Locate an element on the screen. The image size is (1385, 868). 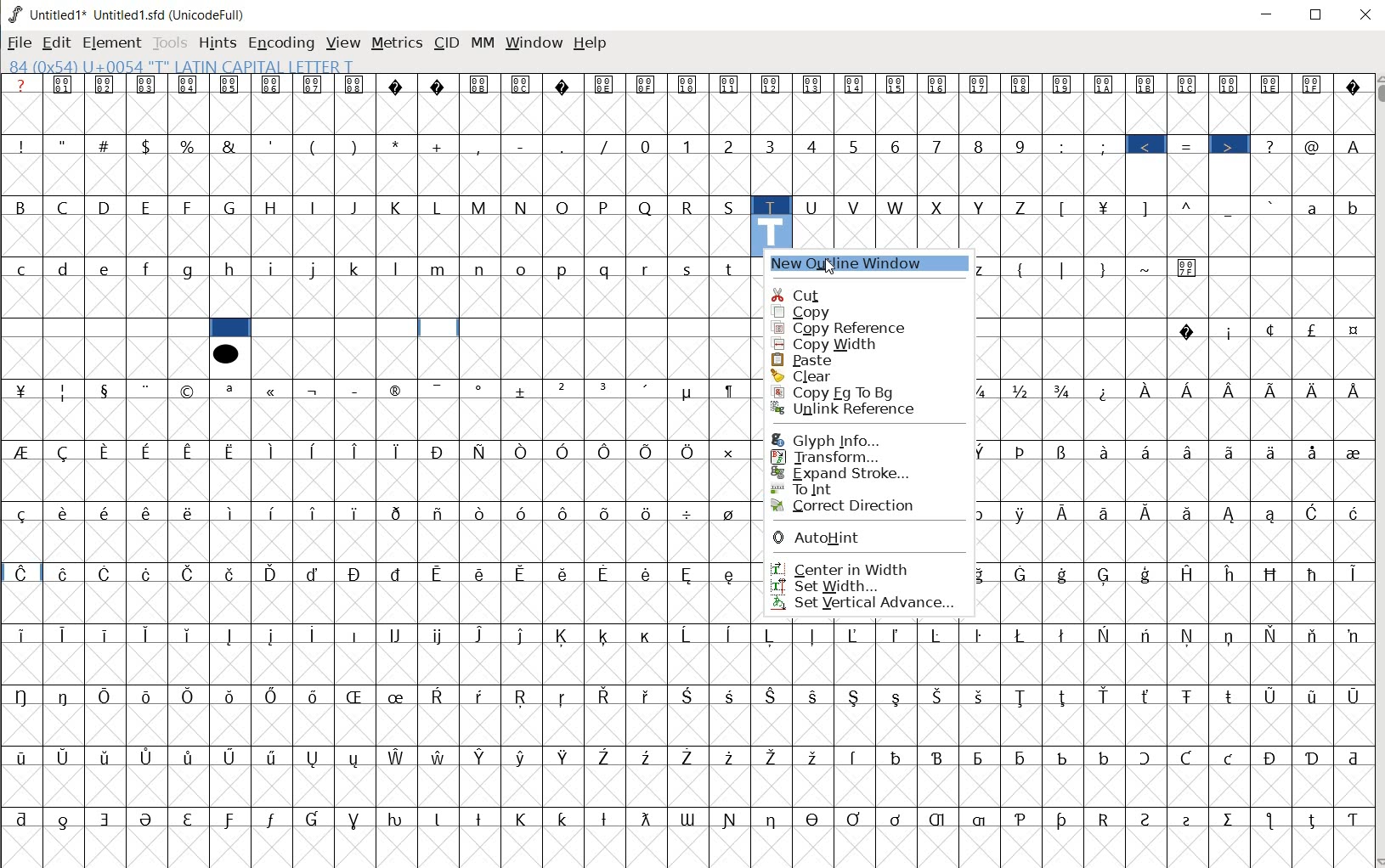
Symbol is located at coordinates (1024, 696).